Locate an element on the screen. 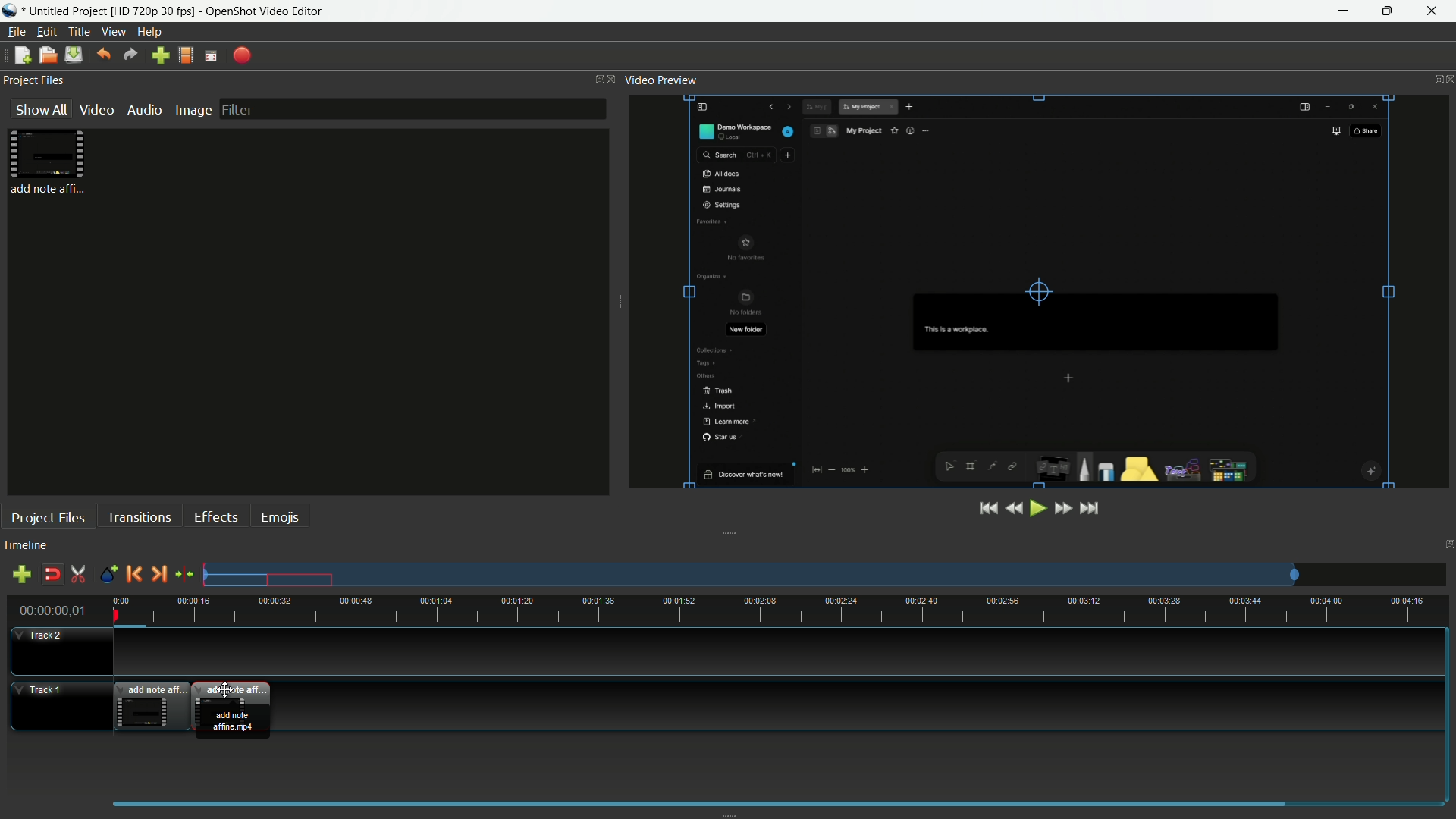 Image resolution: width=1456 pixels, height=819 pixels. fast forward is located at coordinates (1062, 508).